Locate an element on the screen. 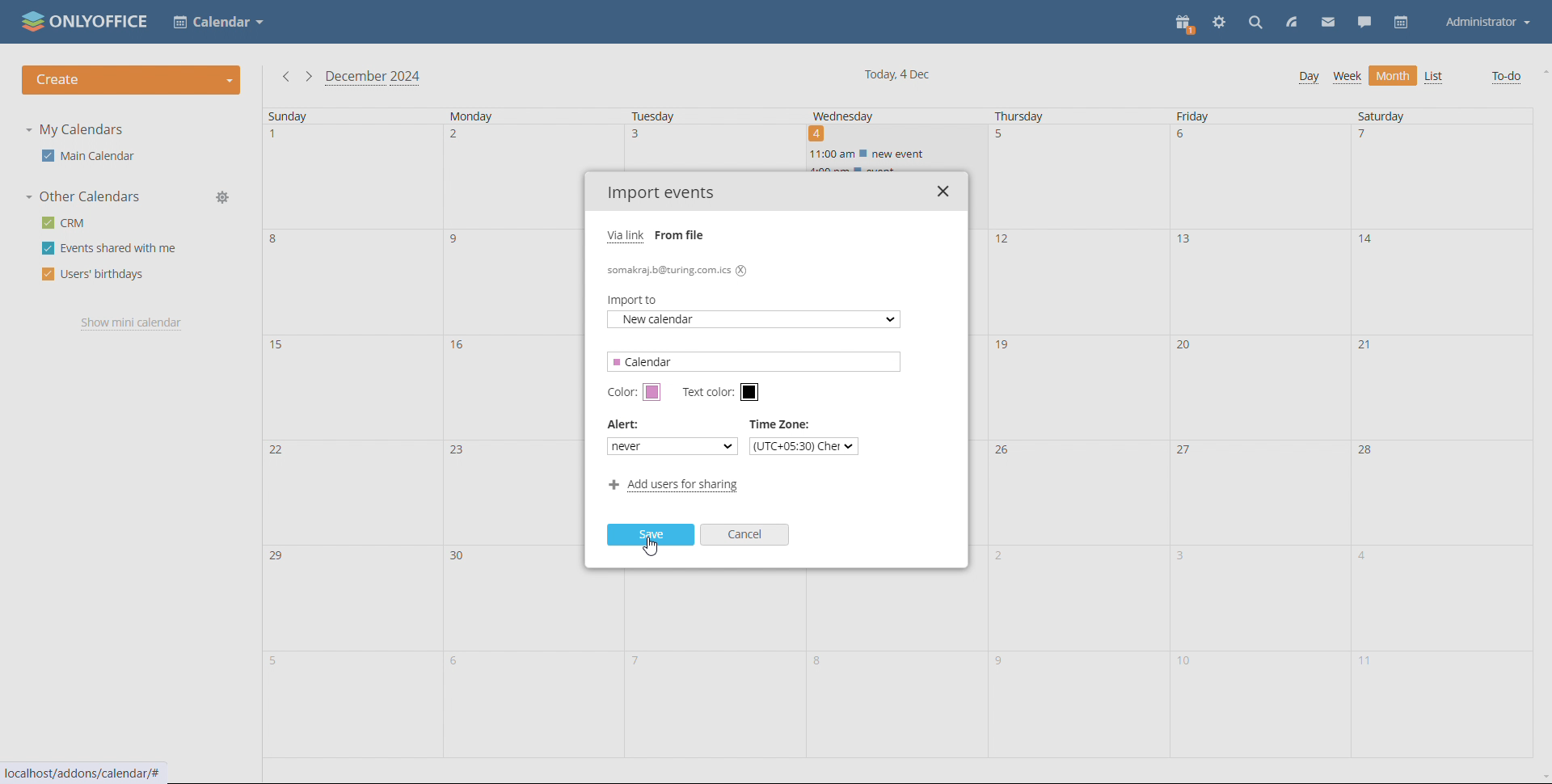 Image resolution: width=1552 pixels, height=784 pixels. from file is located at coordinates (684, 235).